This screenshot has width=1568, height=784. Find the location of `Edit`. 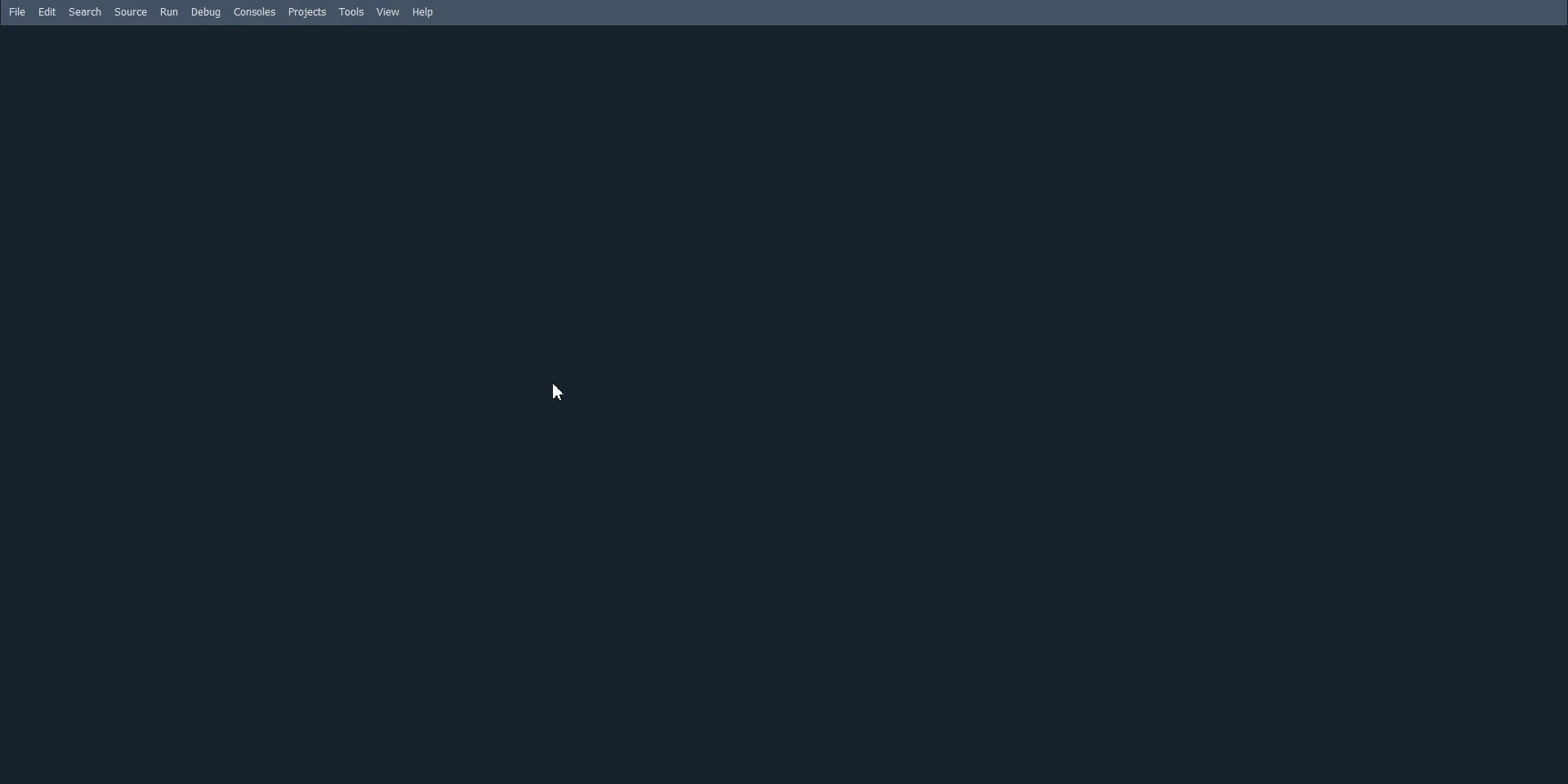

Edit is located at coordinates (48, 11).